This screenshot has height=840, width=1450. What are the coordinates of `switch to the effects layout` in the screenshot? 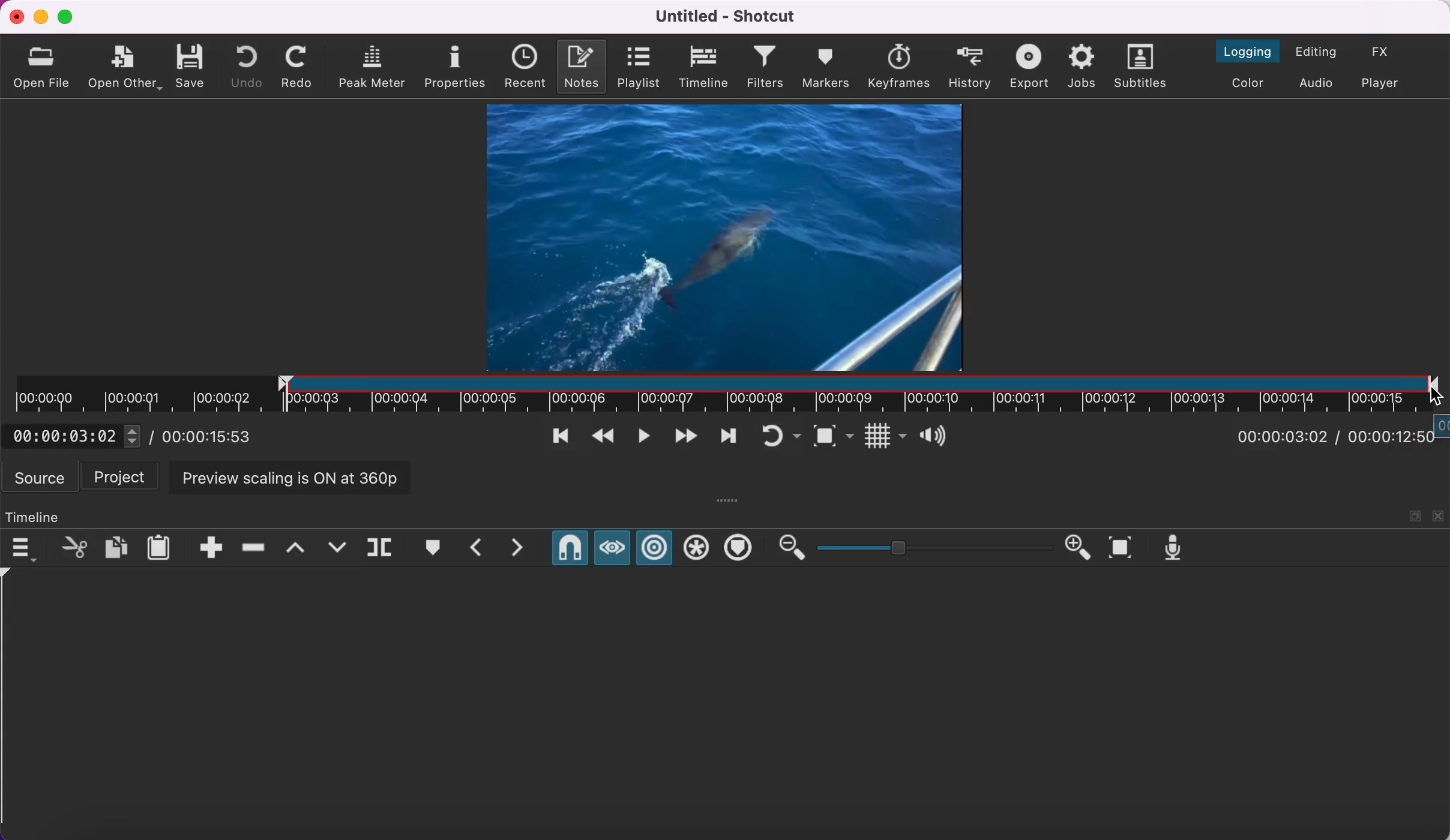 It's located at (1384, 53).